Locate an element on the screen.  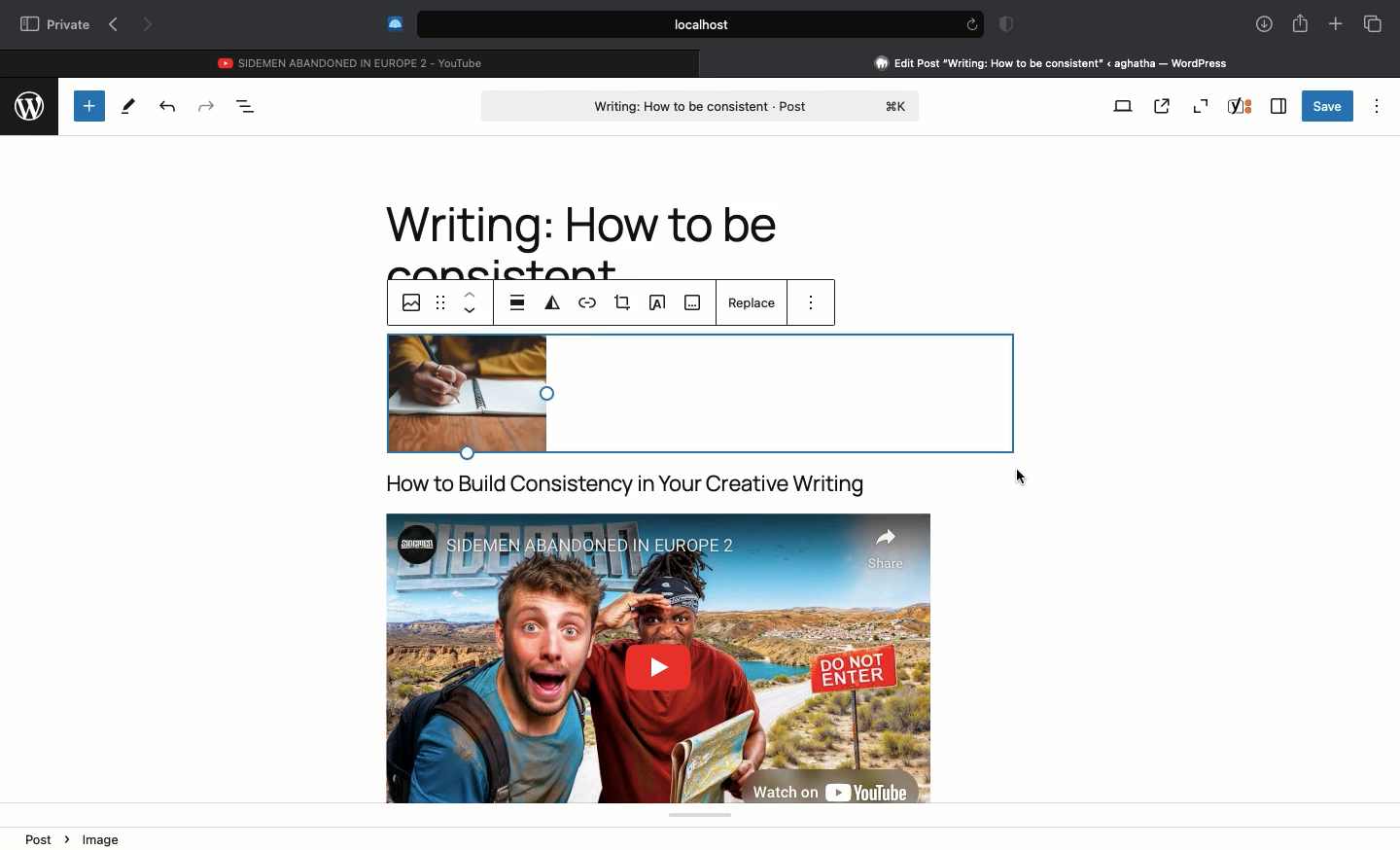
close is located at coordinates (709, 62).